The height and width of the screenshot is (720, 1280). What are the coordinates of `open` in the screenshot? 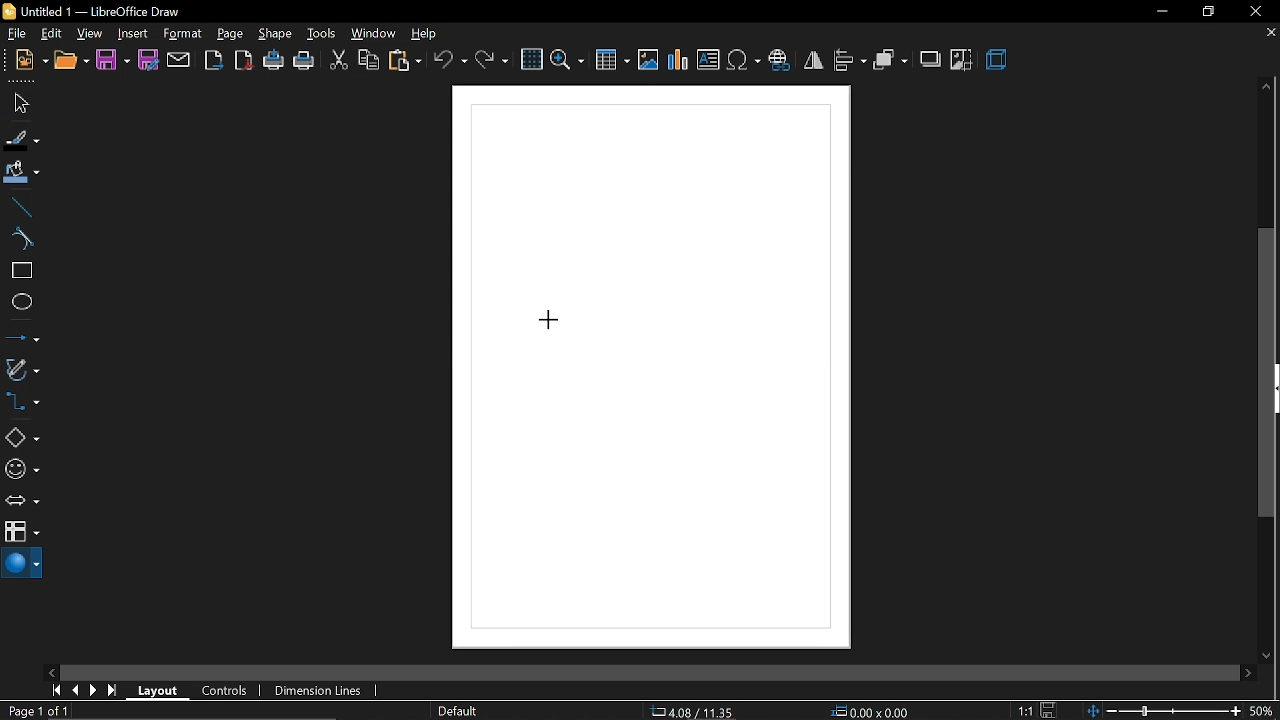 It's located at (70, 60).